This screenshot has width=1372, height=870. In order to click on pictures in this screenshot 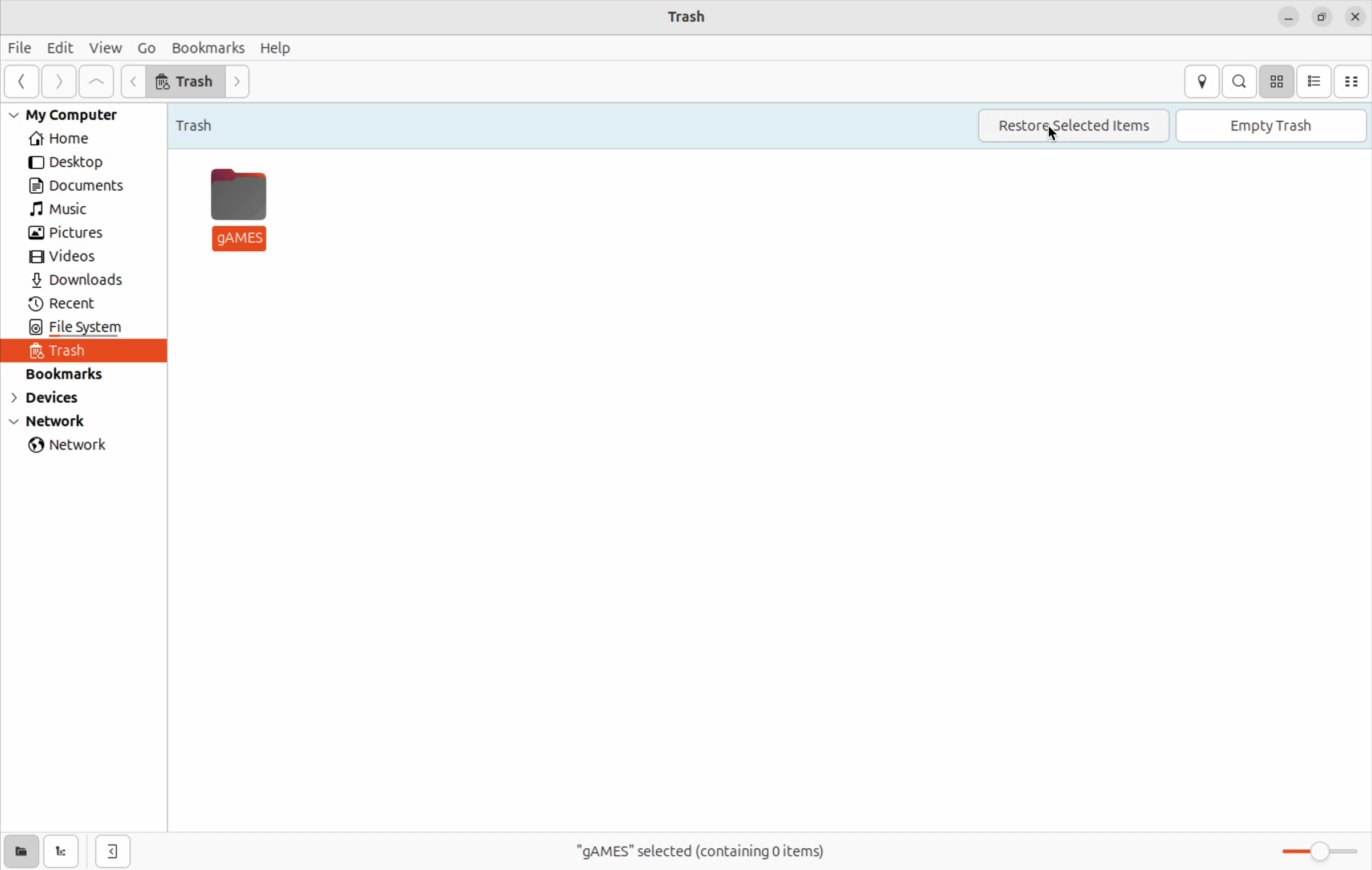, I will do `click(71, 234)`.